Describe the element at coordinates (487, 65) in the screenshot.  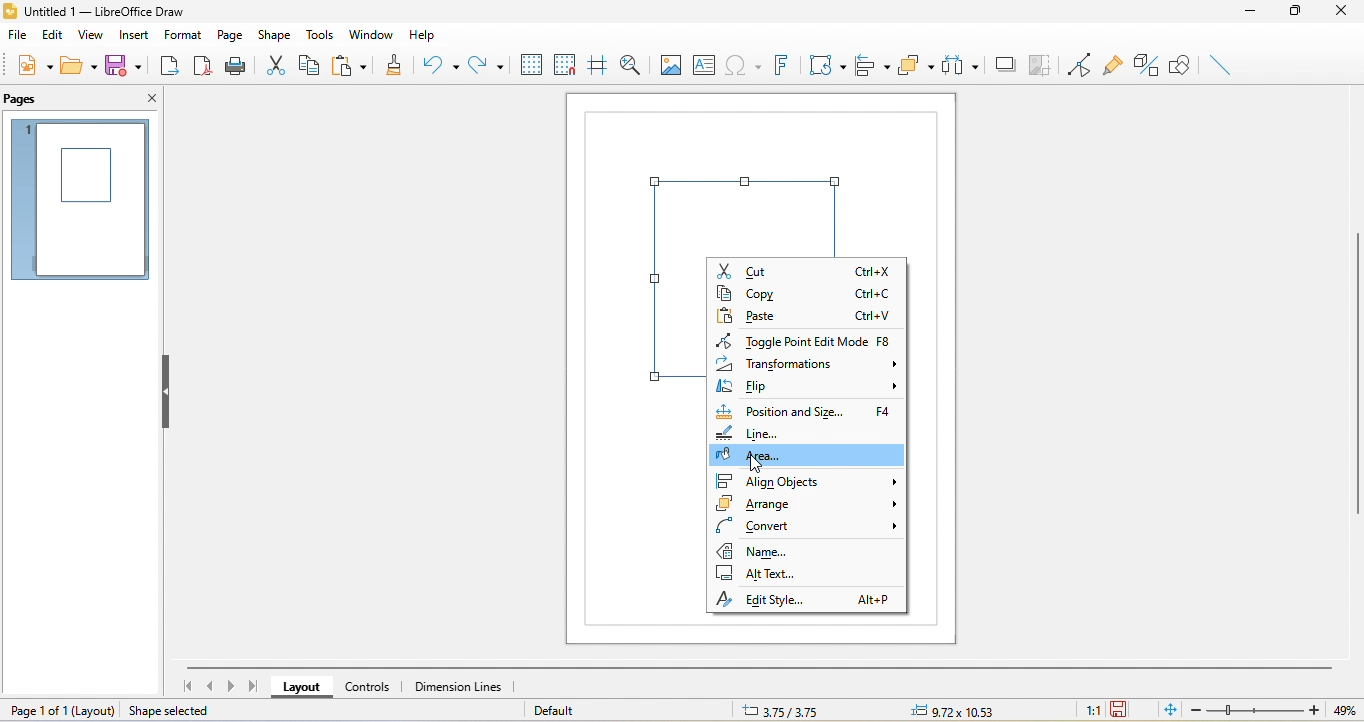
I see `redo` at that location.